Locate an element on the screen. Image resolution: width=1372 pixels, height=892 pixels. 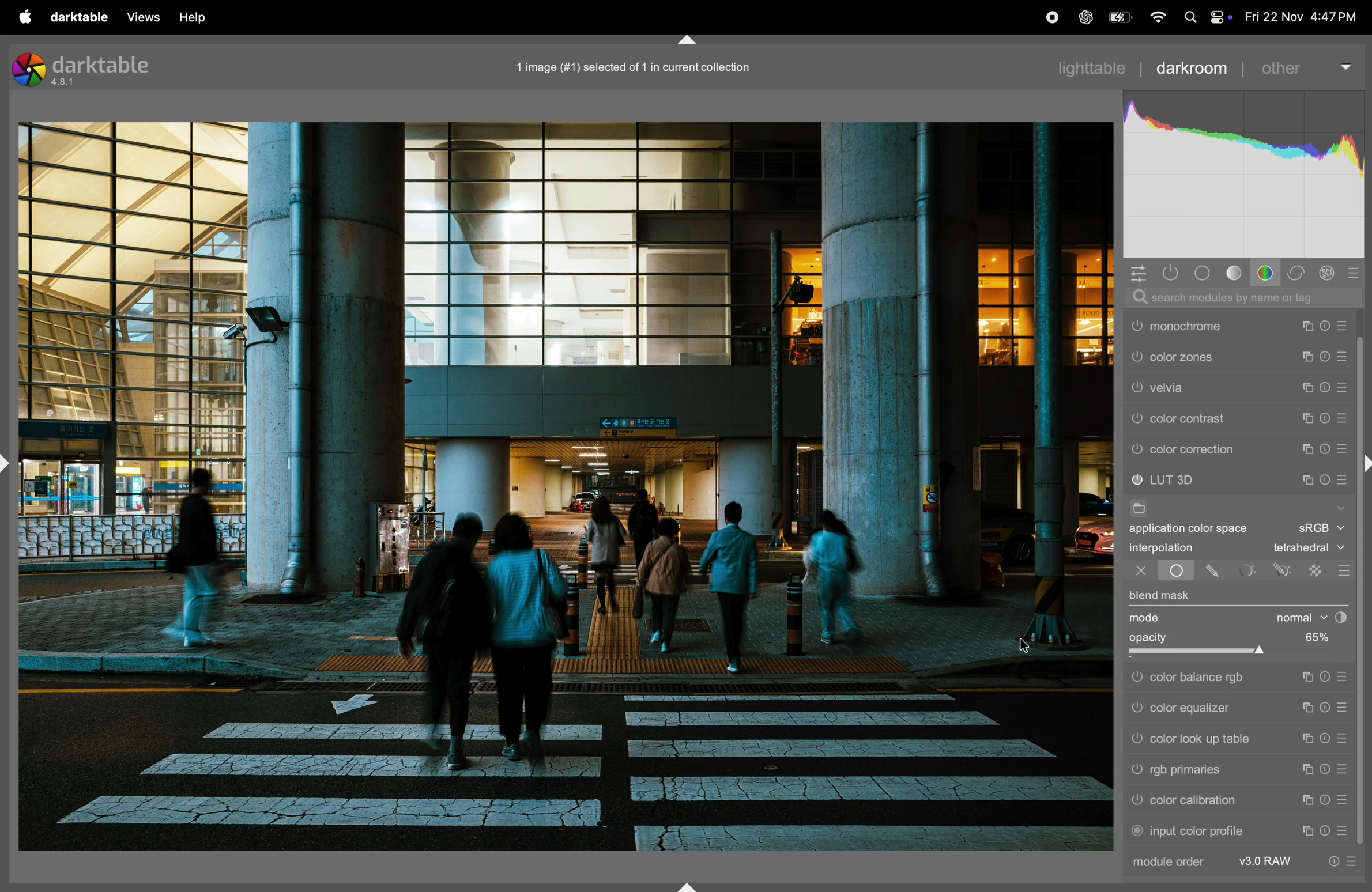
presets is located at coordinates (1344, 675).